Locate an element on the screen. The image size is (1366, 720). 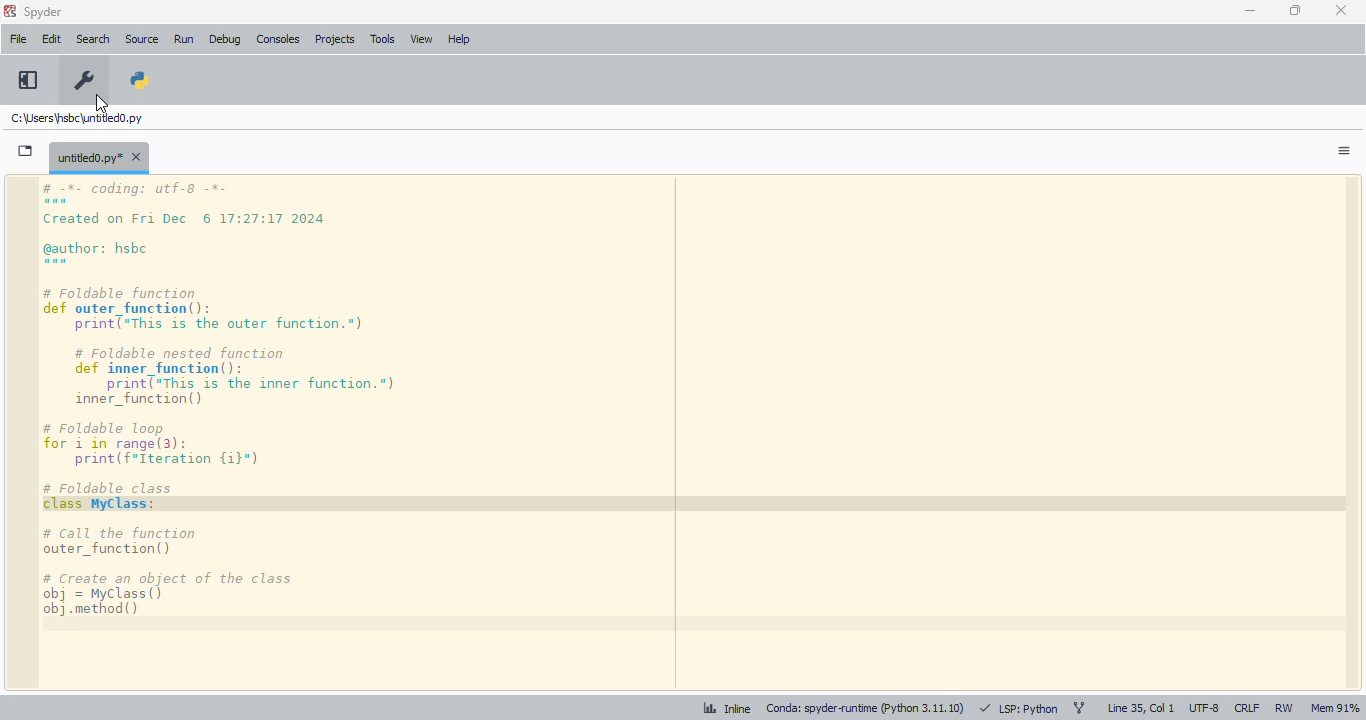
code executing iteration till 3  is located at coordinates (698, 433).